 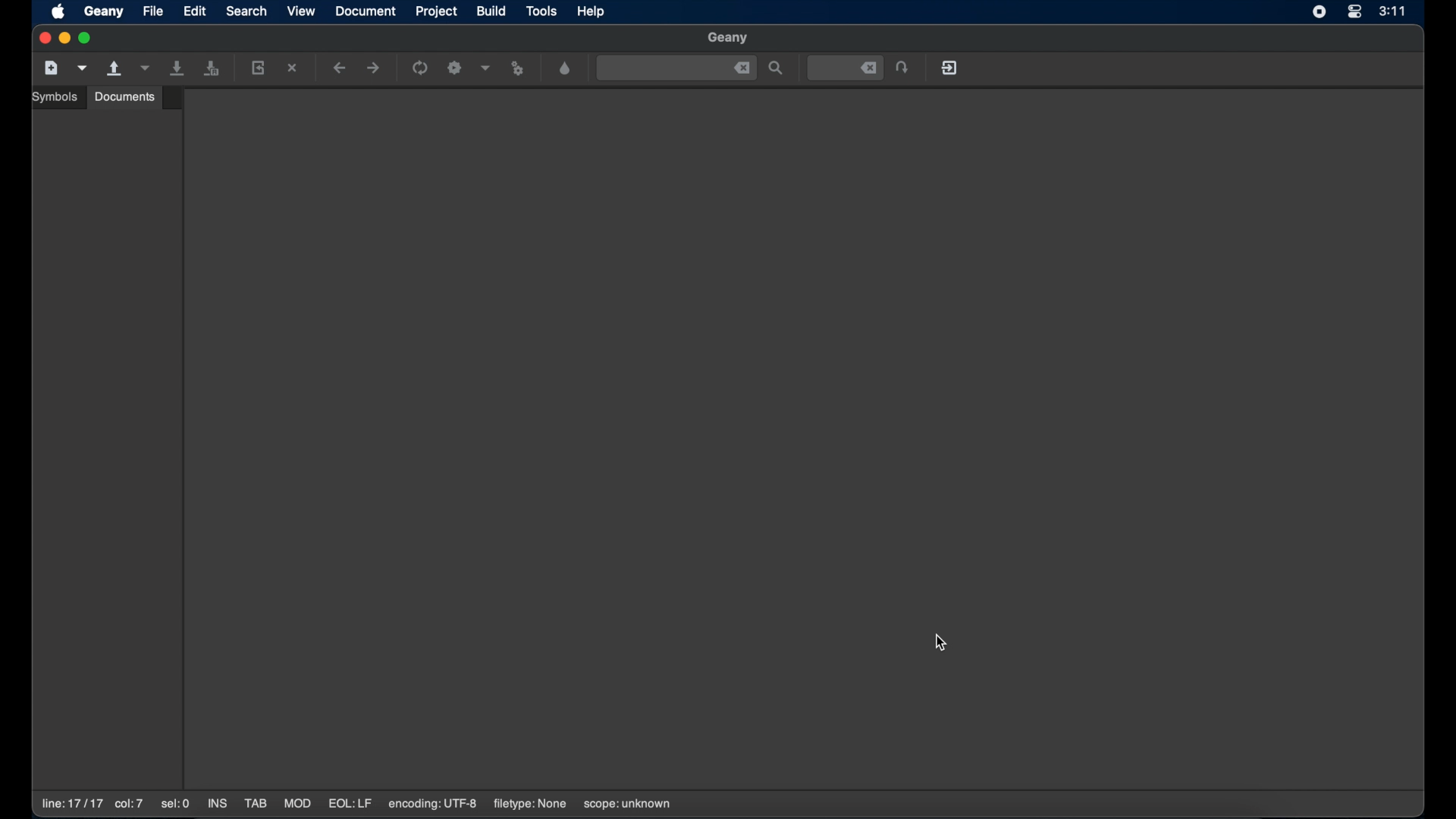 What do you see at coordinates (145, 68) in the screenshot?
I see `open a recent file` at bounding box center [145, 68].